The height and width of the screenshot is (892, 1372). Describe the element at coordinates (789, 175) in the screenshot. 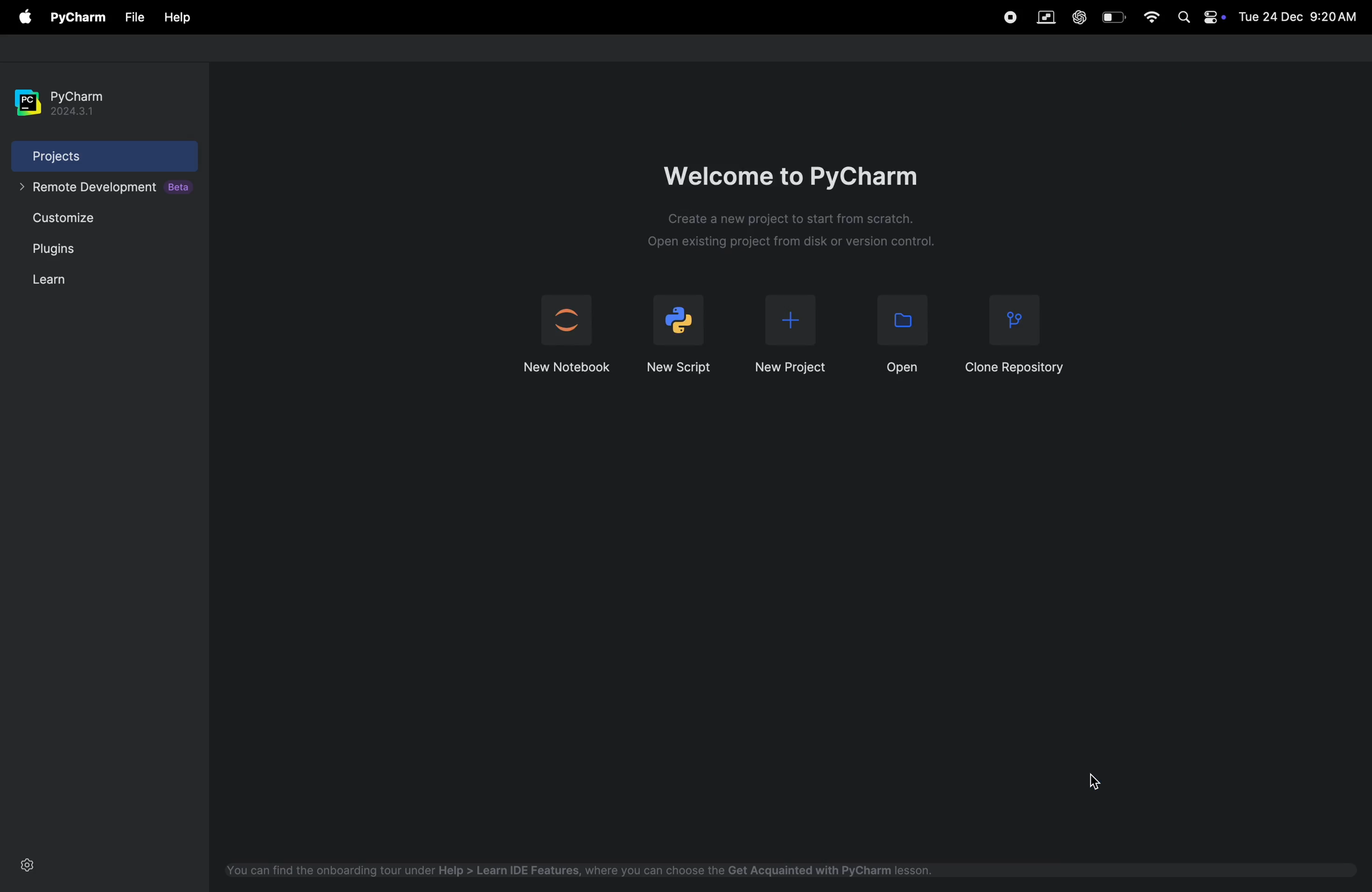

I see `welcome to pycharm` at that location.